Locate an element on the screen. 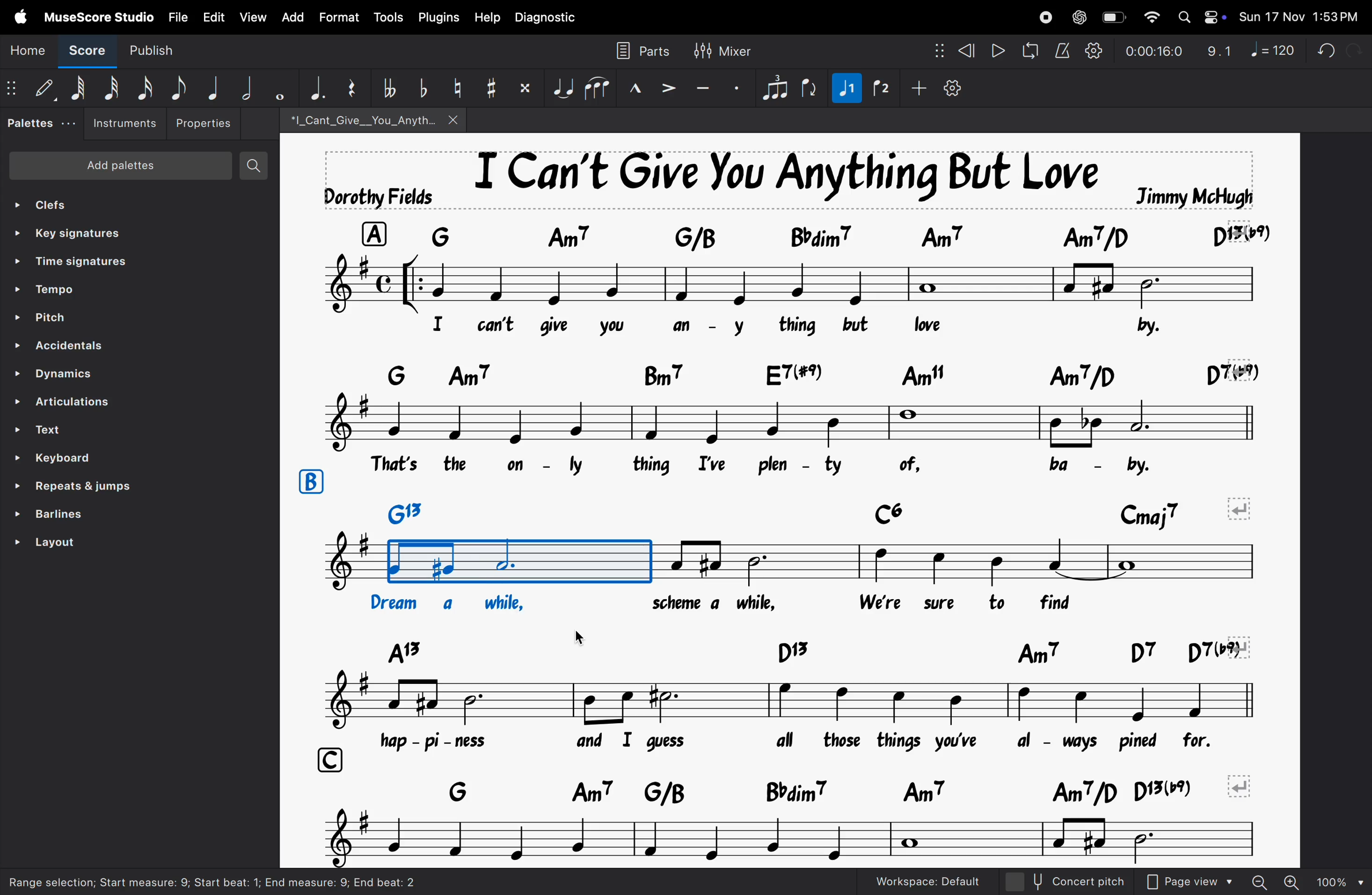 Image resolution: width=1372 pixels, height=895 pixels. concept pitch is located at coordinates (1085, 881).